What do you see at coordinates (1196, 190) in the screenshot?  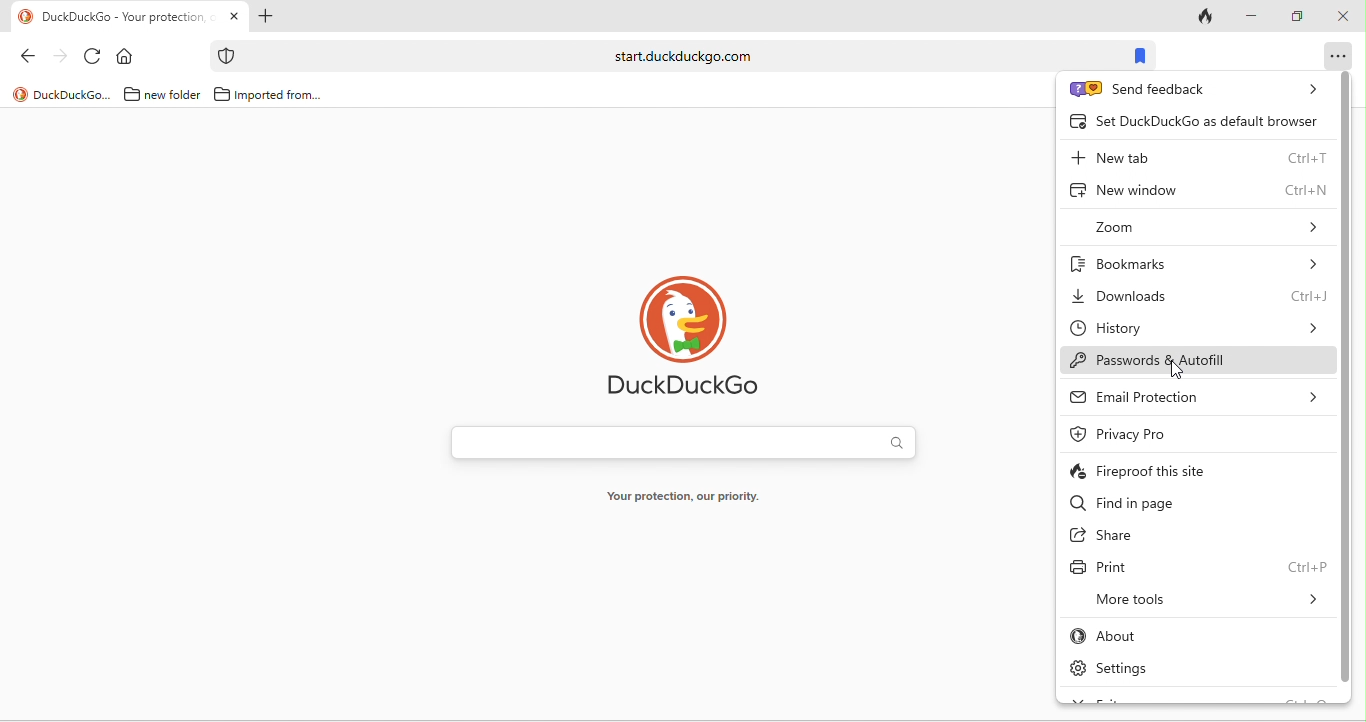 I see `new window` at bounding box center [1196, 190].